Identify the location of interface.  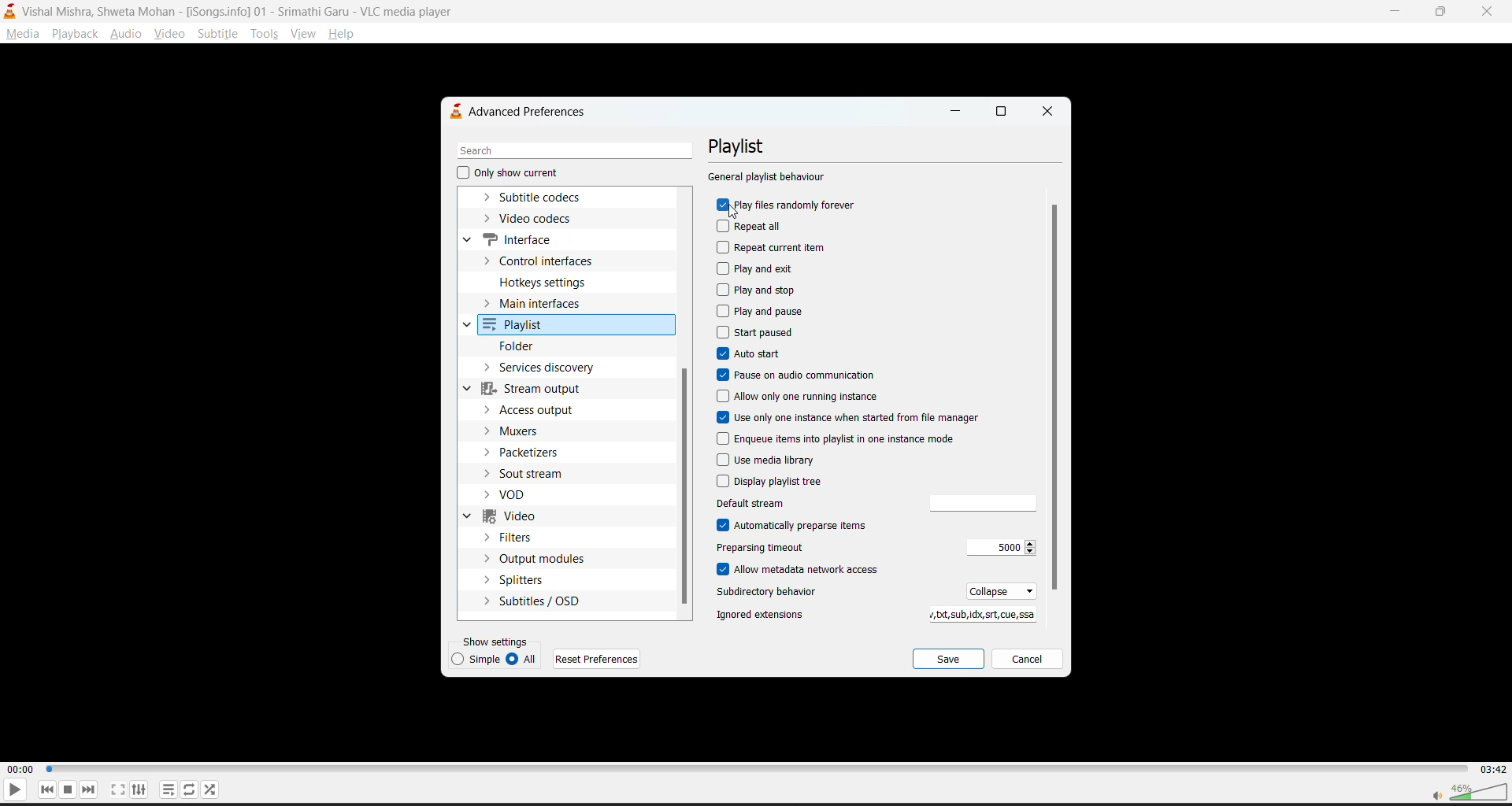
(524, 241).